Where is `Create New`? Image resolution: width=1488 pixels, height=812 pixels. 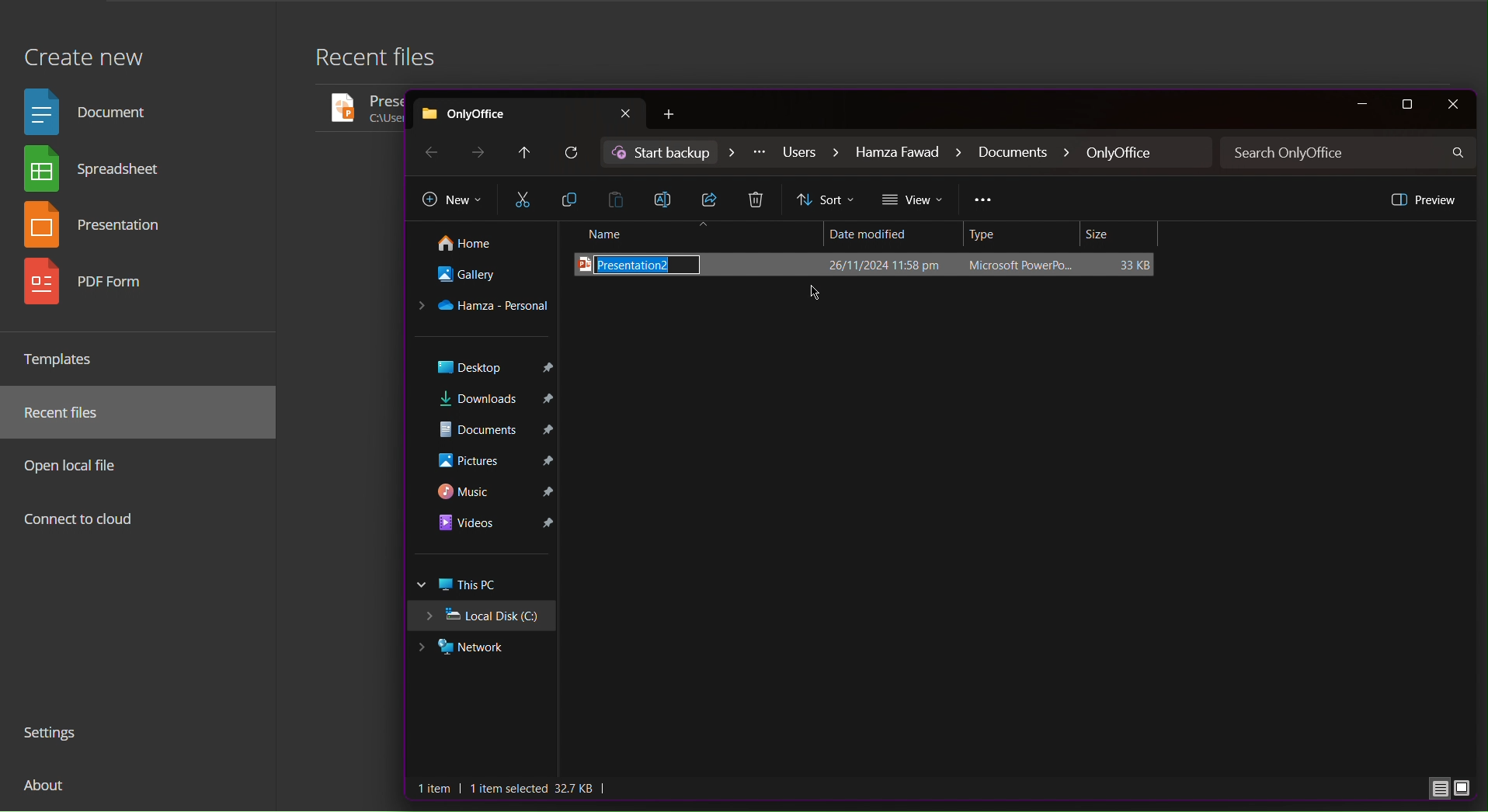 Create New is located at coordinates (83, 49).